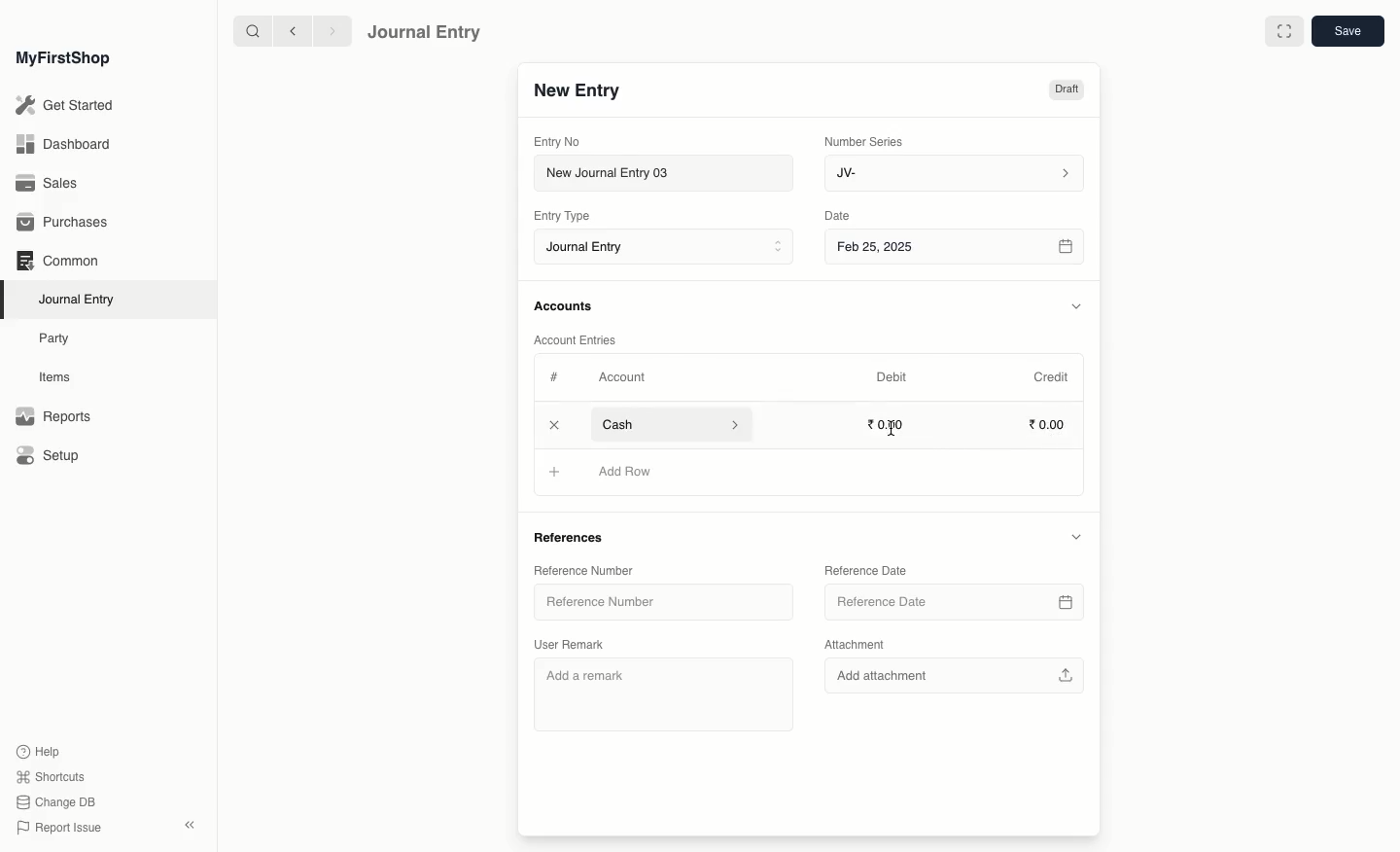 Image resolution: width=1400 pixels, height=852 pixels. I want to click on Full width toggle, so click(1282, 32).